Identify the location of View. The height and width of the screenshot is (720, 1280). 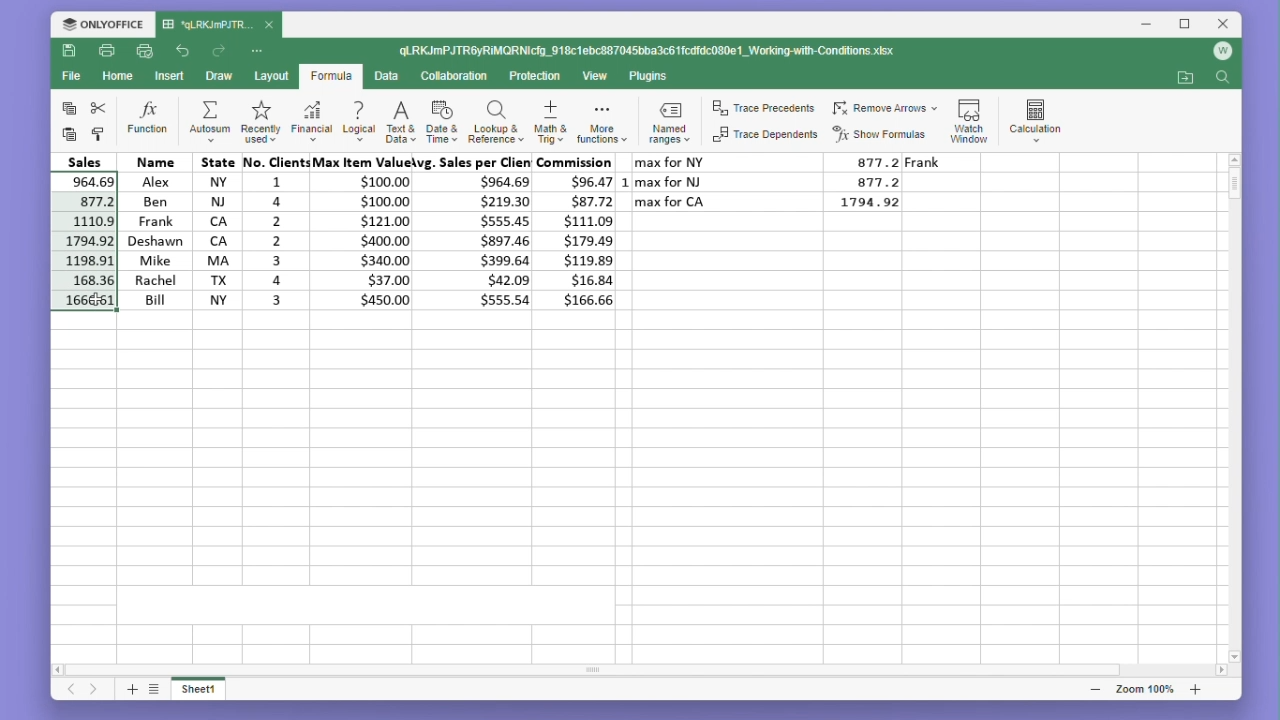
(596, 76).